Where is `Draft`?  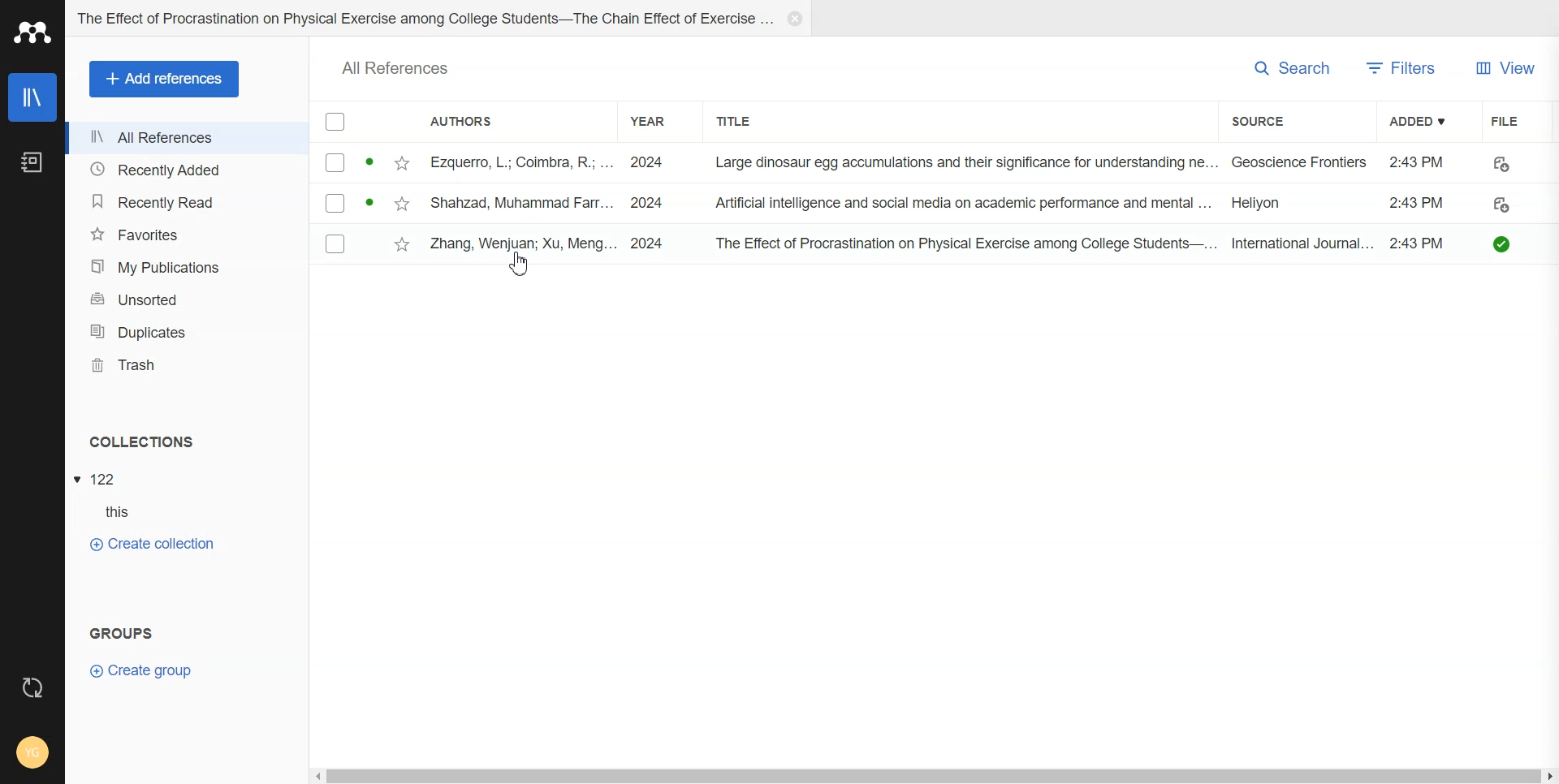 Draft is located at coordinates (1507, 162).